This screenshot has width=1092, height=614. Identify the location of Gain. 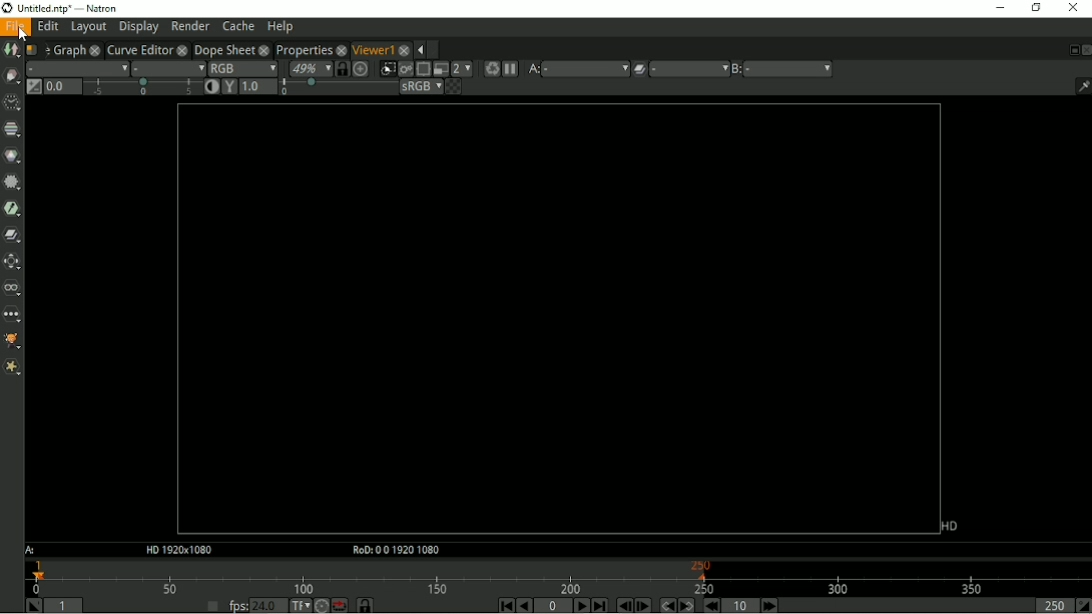
(63, 86).